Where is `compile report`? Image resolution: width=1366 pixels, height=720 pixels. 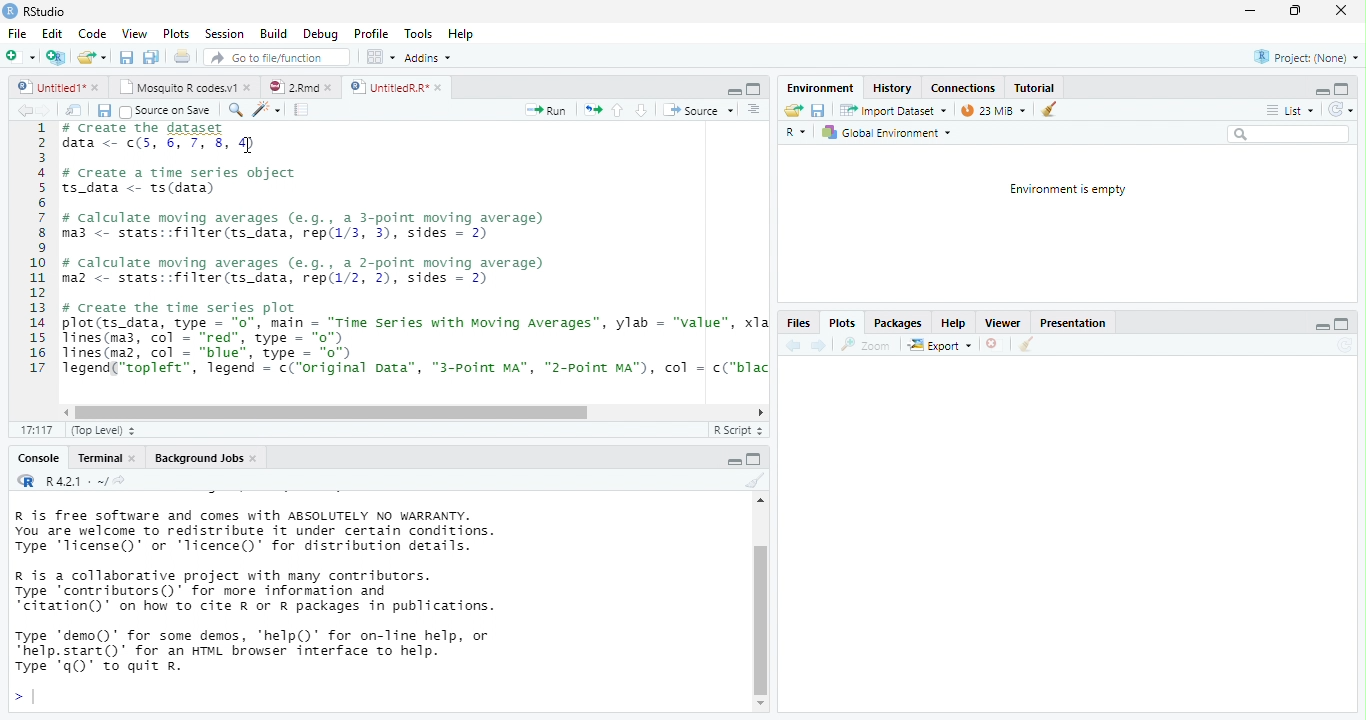 compile report is located at coordinates (303, 109).